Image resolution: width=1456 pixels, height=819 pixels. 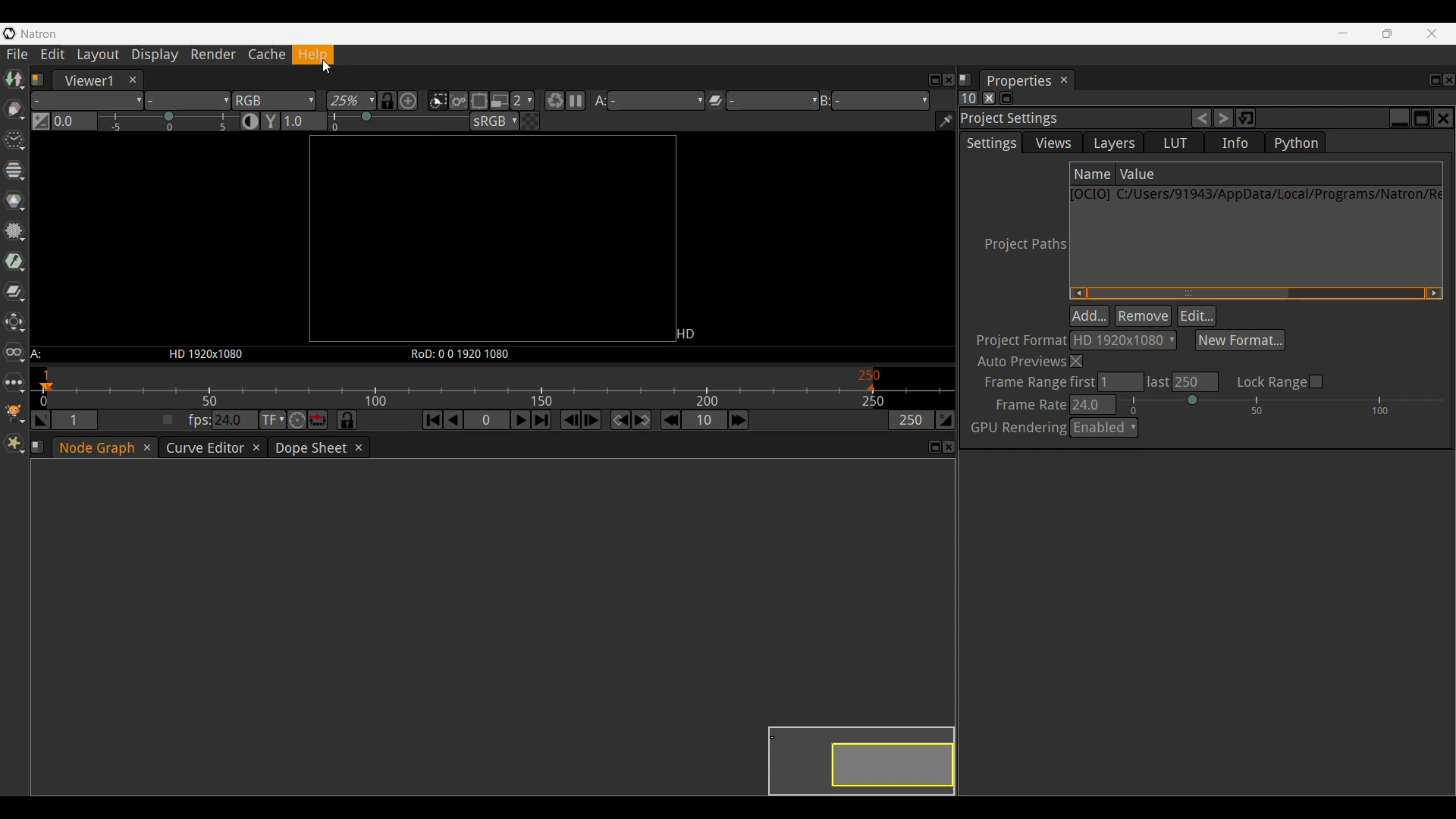 I want to click on Play forward, so click(x=521, y=419).